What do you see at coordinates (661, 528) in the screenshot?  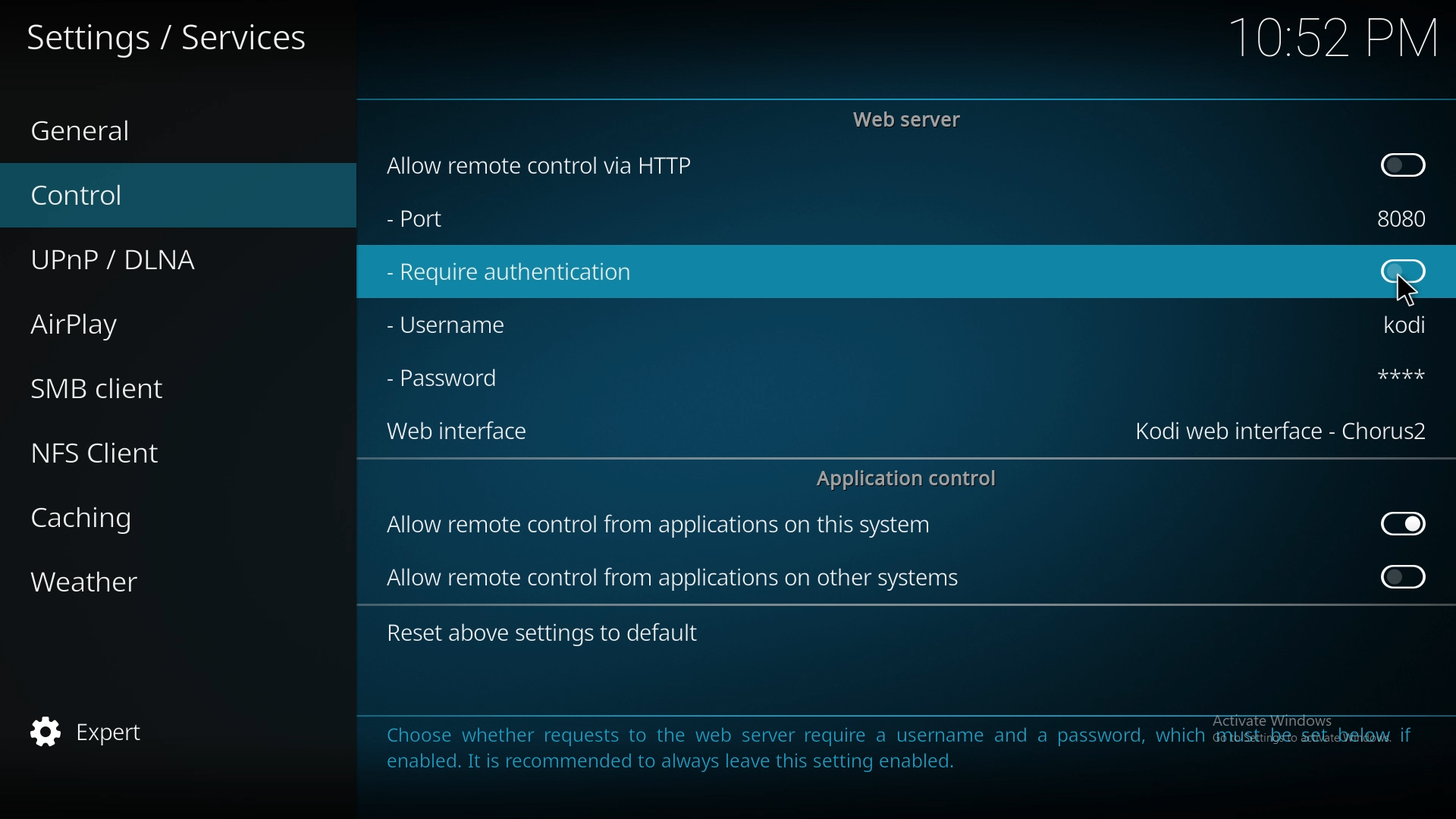 I see `allow remote control from apps on this system` at bounding box center [661, 528].